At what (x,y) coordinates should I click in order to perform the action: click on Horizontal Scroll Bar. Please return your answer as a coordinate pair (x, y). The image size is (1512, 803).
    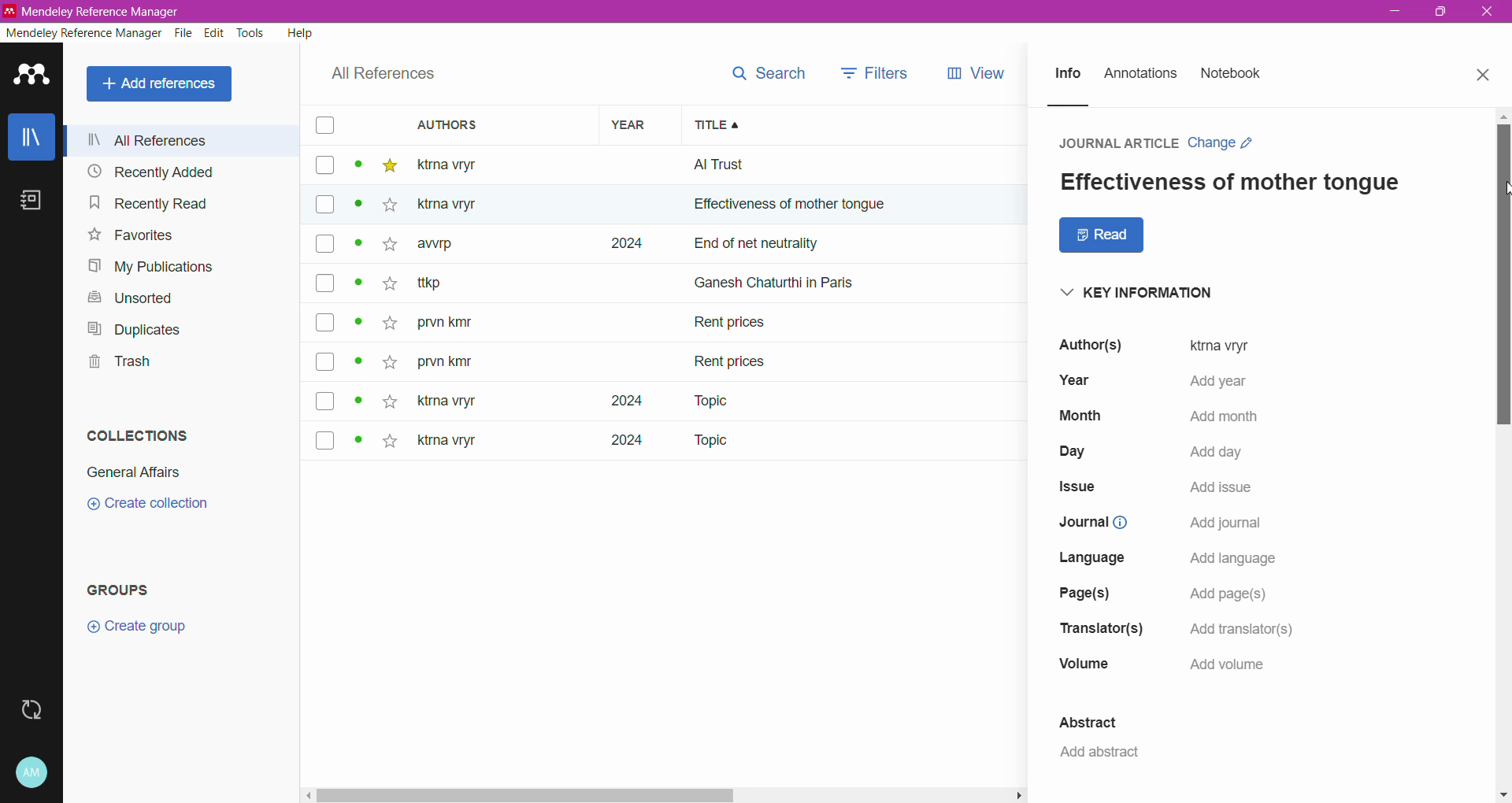
    Looking at the image, I should click on (665, 794).